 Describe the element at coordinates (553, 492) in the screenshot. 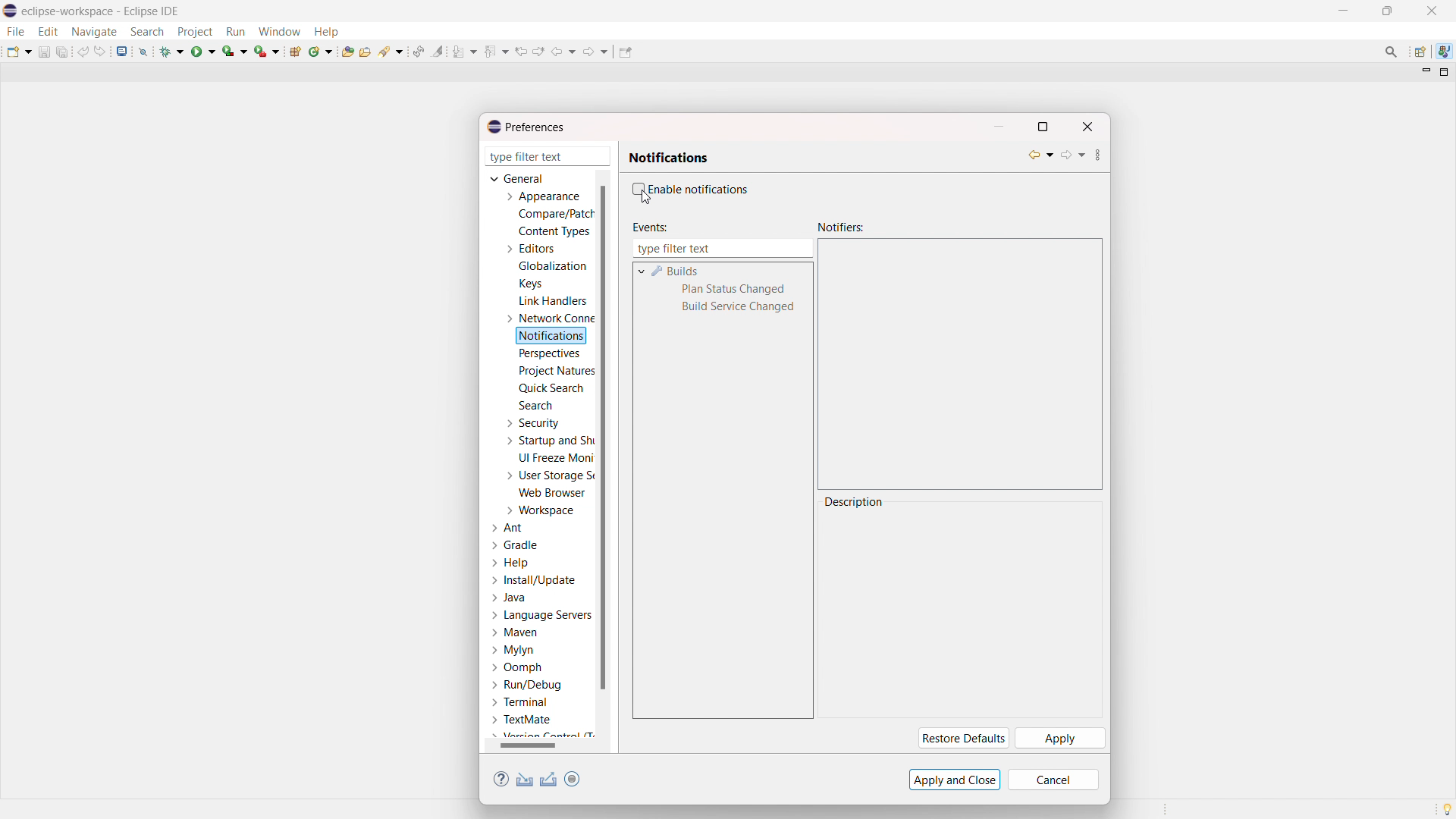

I see `web browser` at that location.